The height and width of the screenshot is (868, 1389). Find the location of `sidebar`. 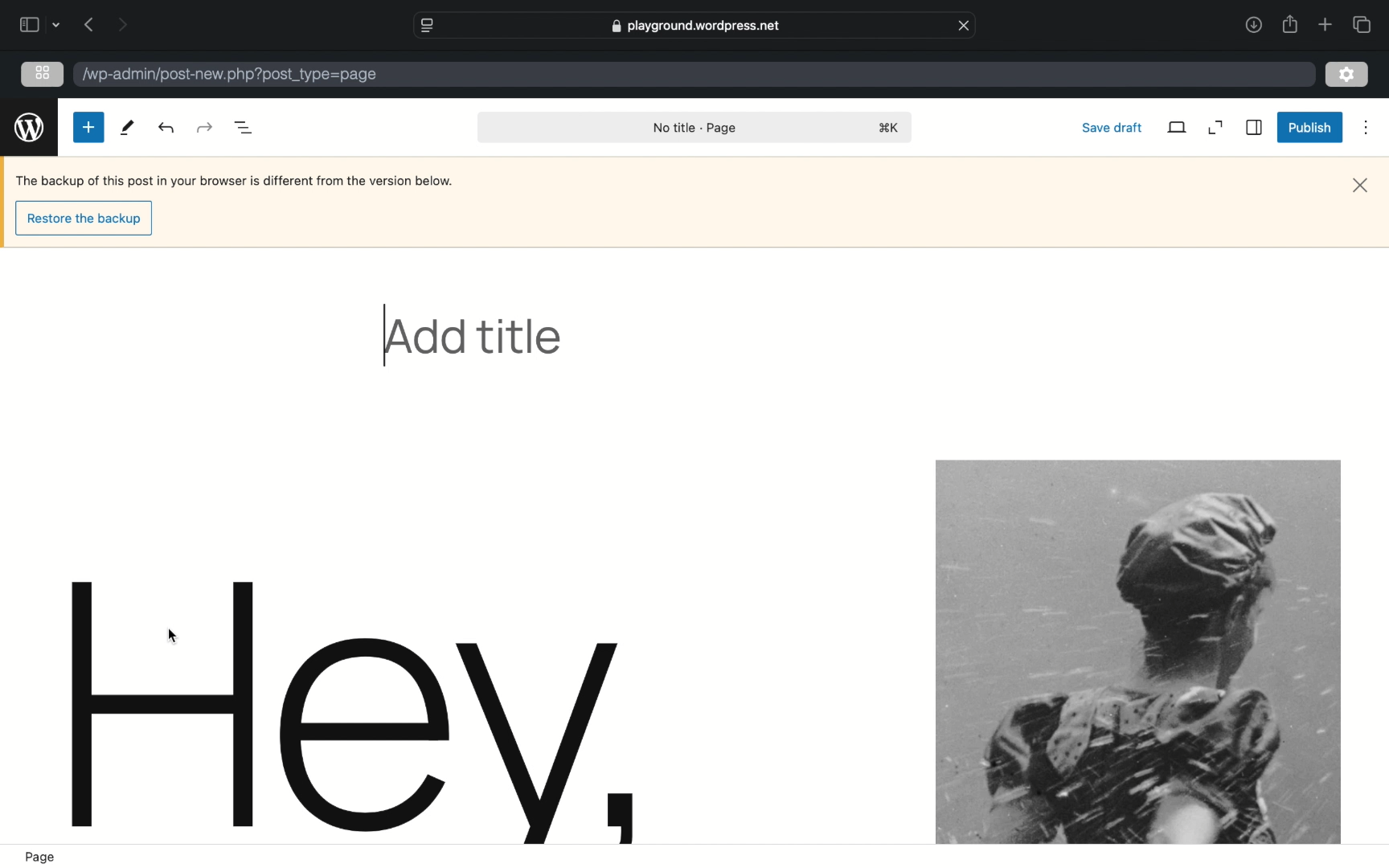

sidebar is located at coordinates (1252, 128).